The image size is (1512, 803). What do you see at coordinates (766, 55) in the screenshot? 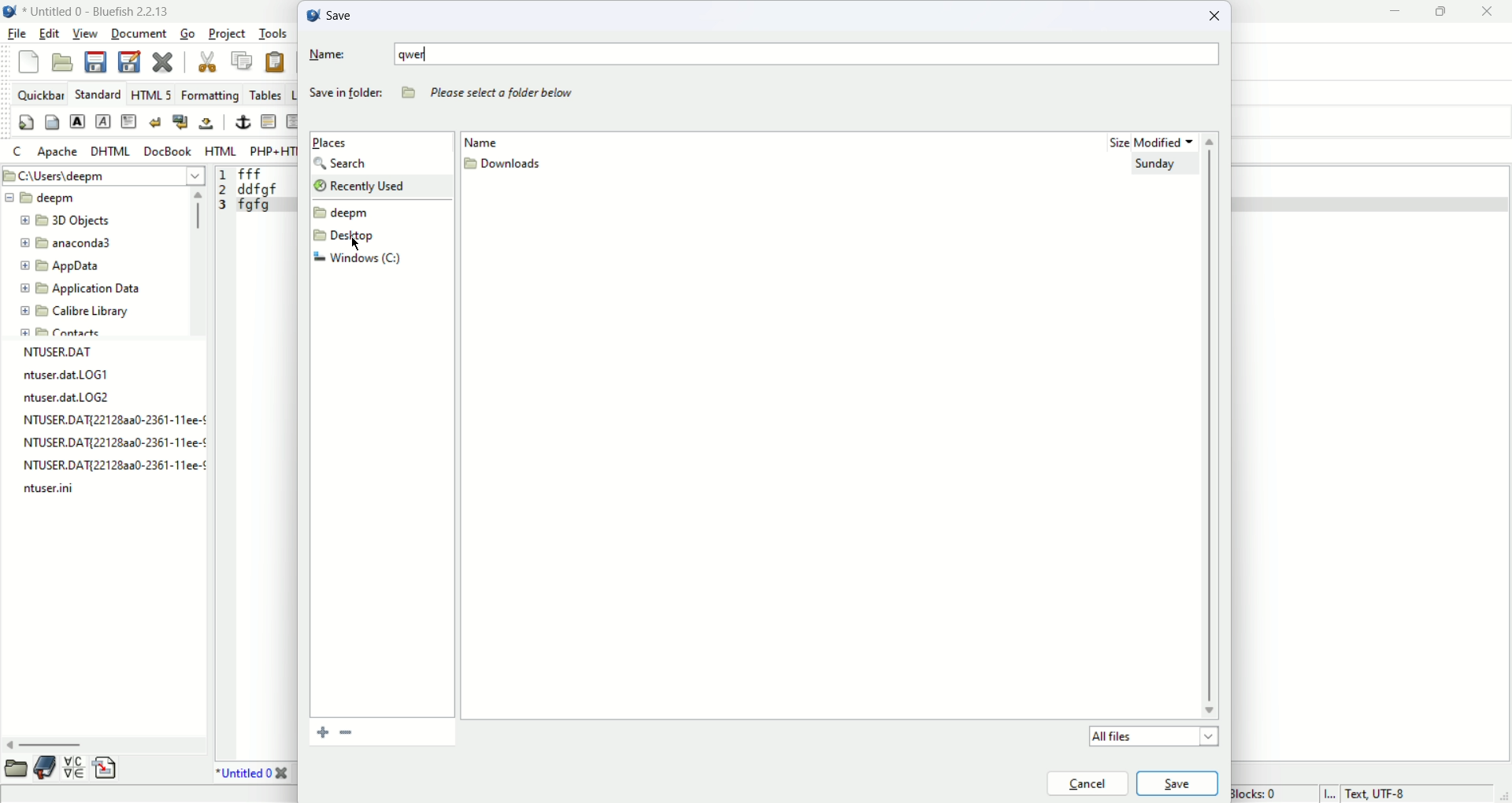
I see `name` at bounding box center [766, 55].